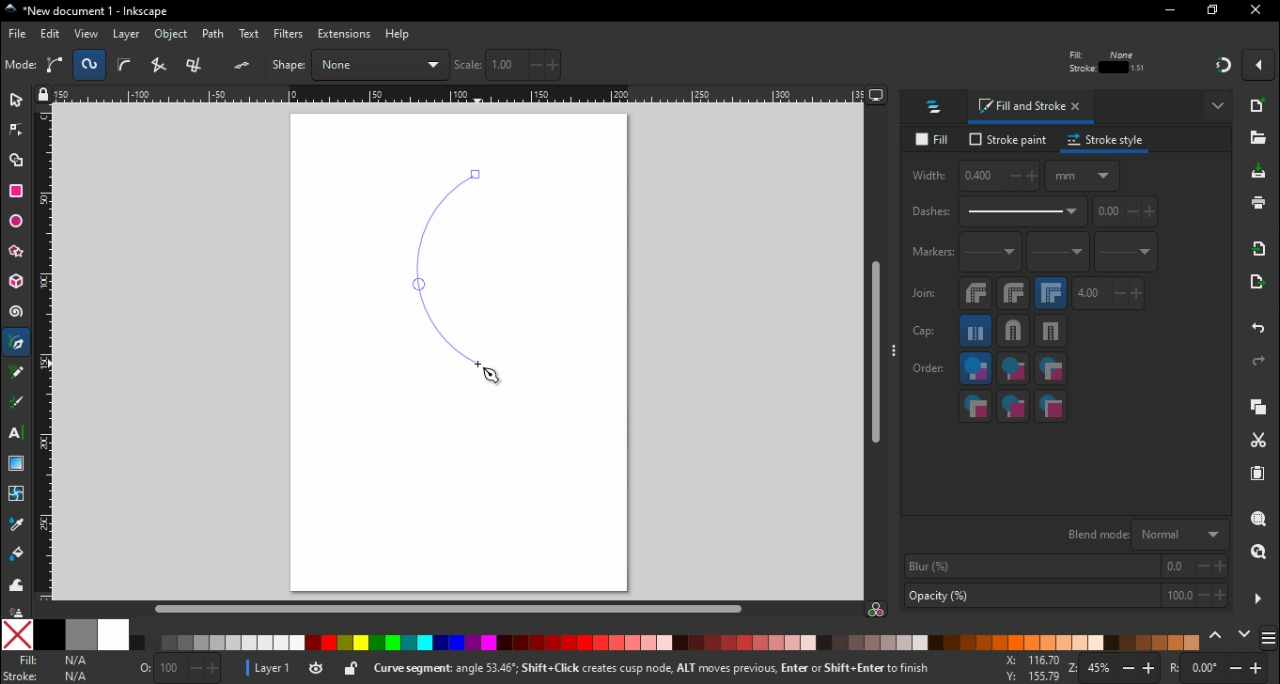  What do you see at coordinates (48, 676) in the screenshot?
I see `stroke color` at bounding box center [48, 676].